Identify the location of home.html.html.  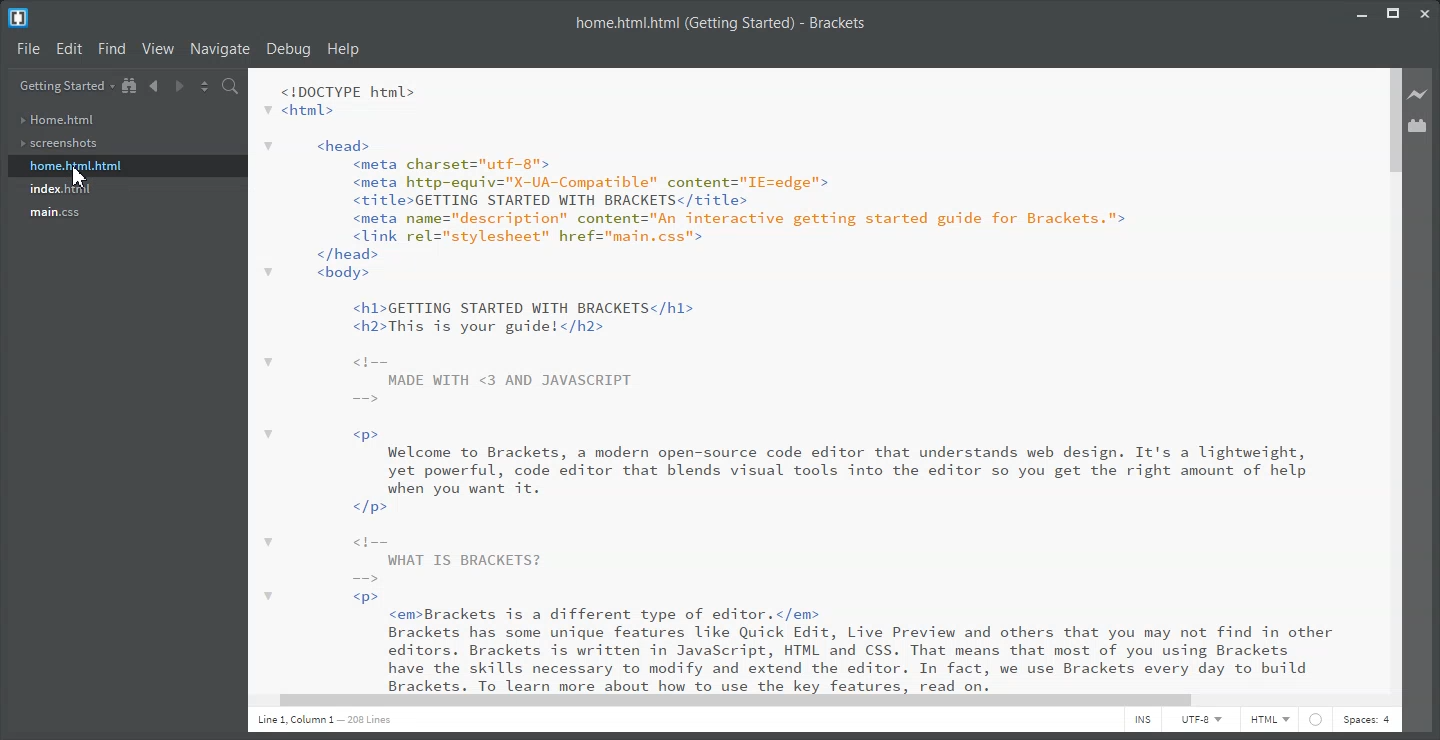
(75, 166).